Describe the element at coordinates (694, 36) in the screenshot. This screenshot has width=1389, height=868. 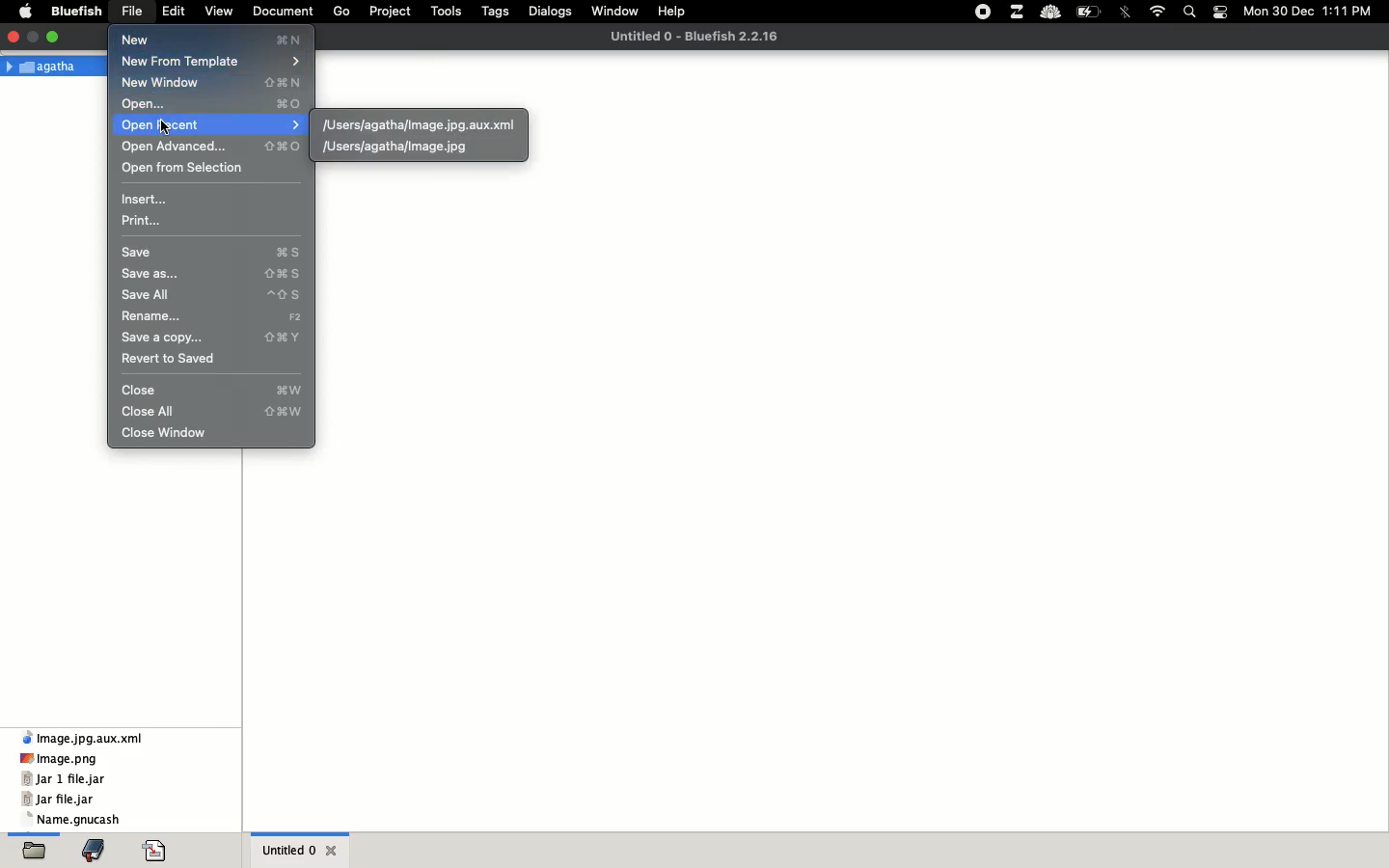
I see `Untitled 0 - Bluefish 2.2.16` at that location.